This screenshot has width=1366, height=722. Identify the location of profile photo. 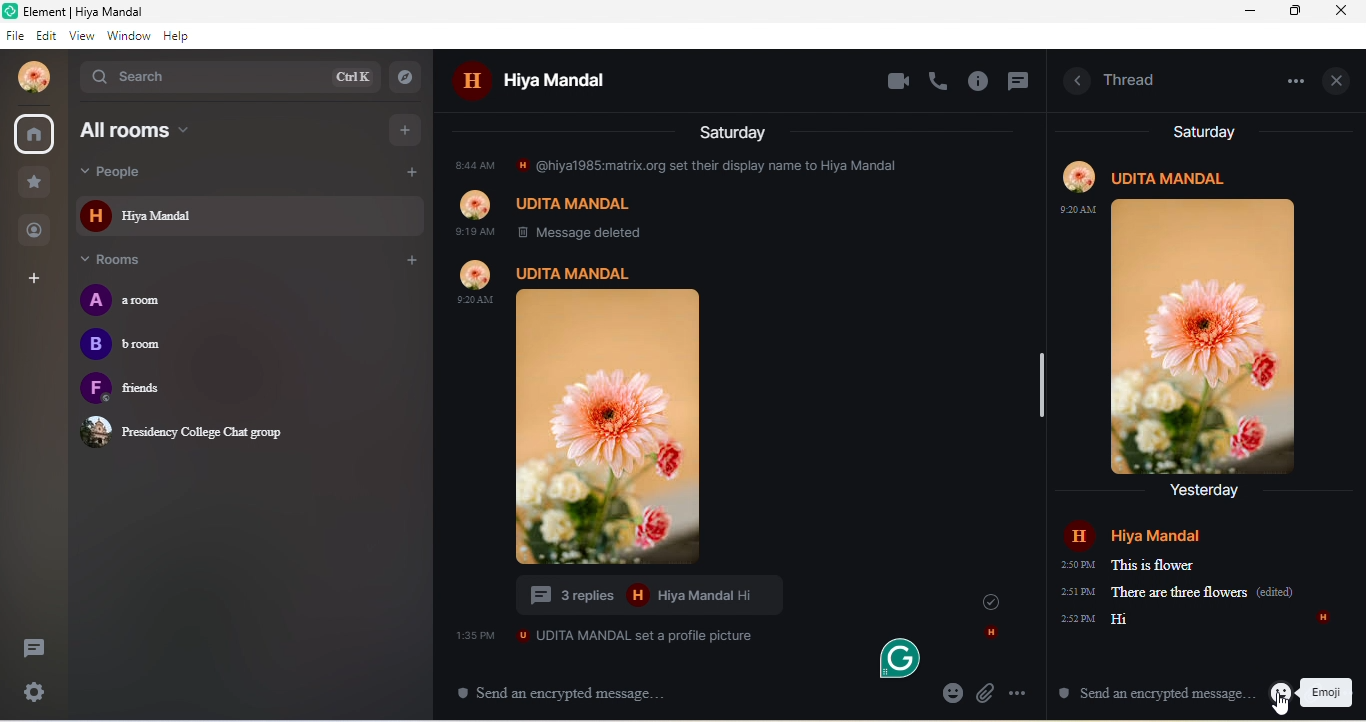
(639, 413).